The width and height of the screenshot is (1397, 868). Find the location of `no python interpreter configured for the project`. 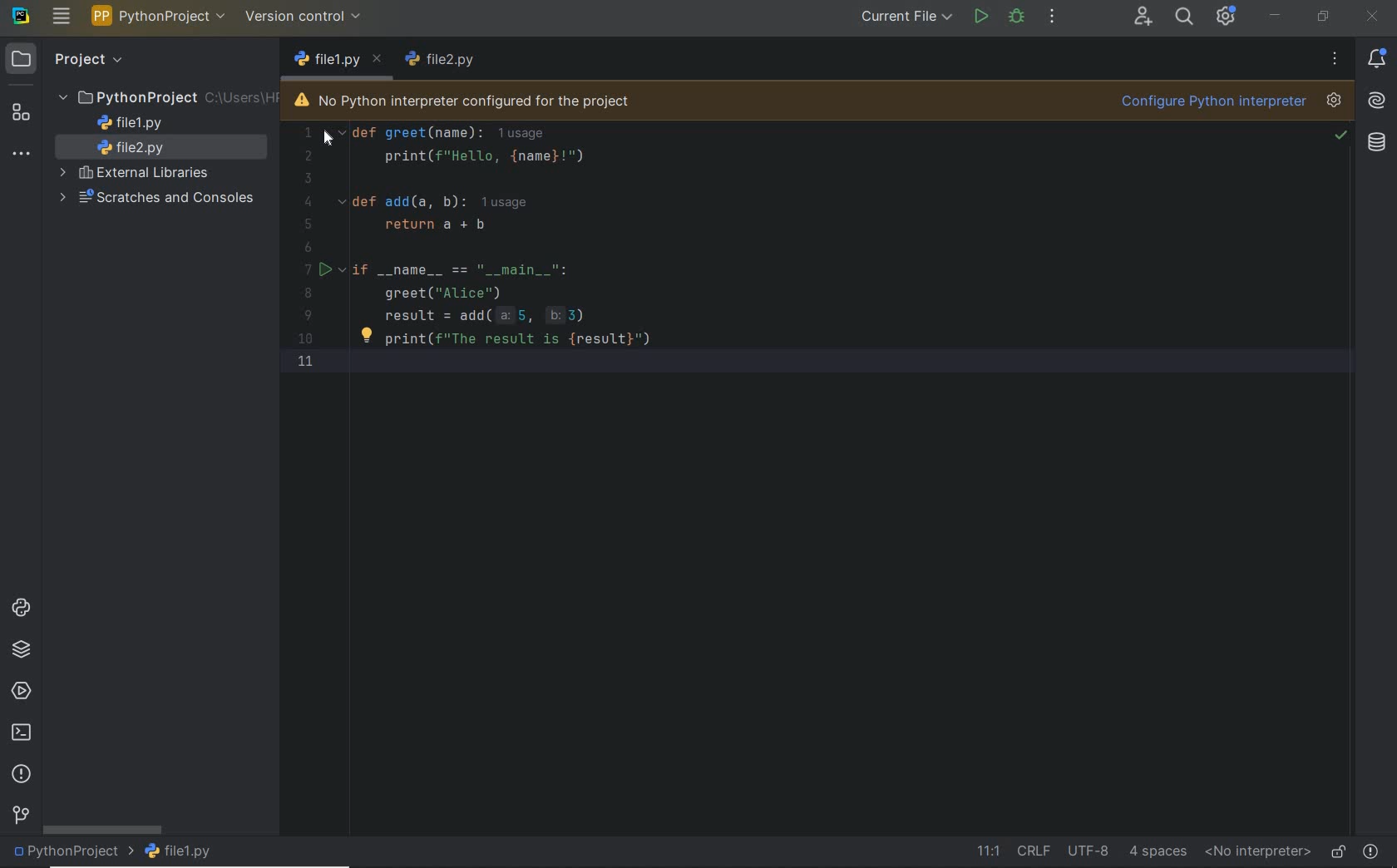

no python interpreter configured for the project is located at coordinates (463, 101).